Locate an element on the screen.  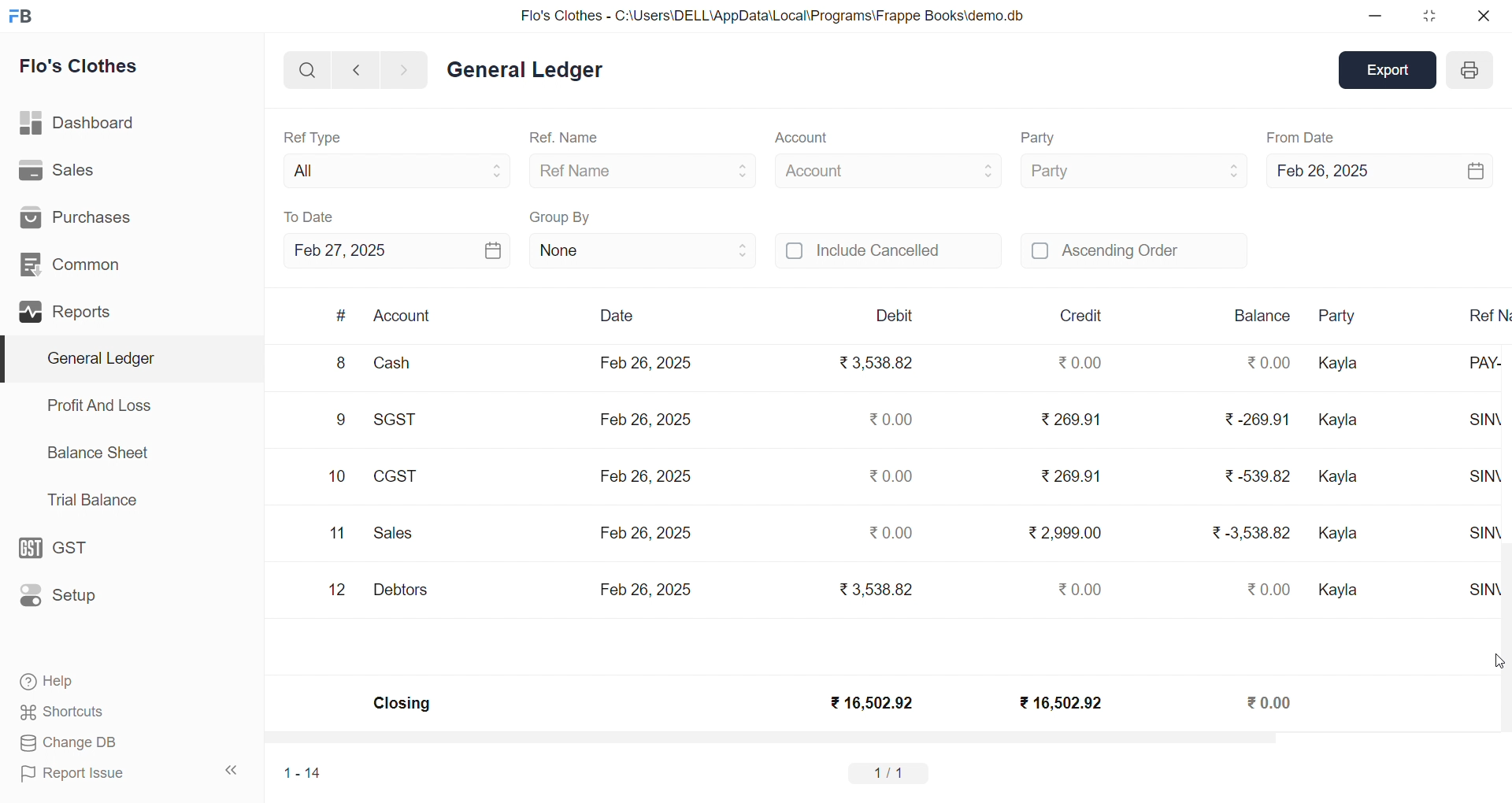
Kayla is located at coordinates (1341, 364).